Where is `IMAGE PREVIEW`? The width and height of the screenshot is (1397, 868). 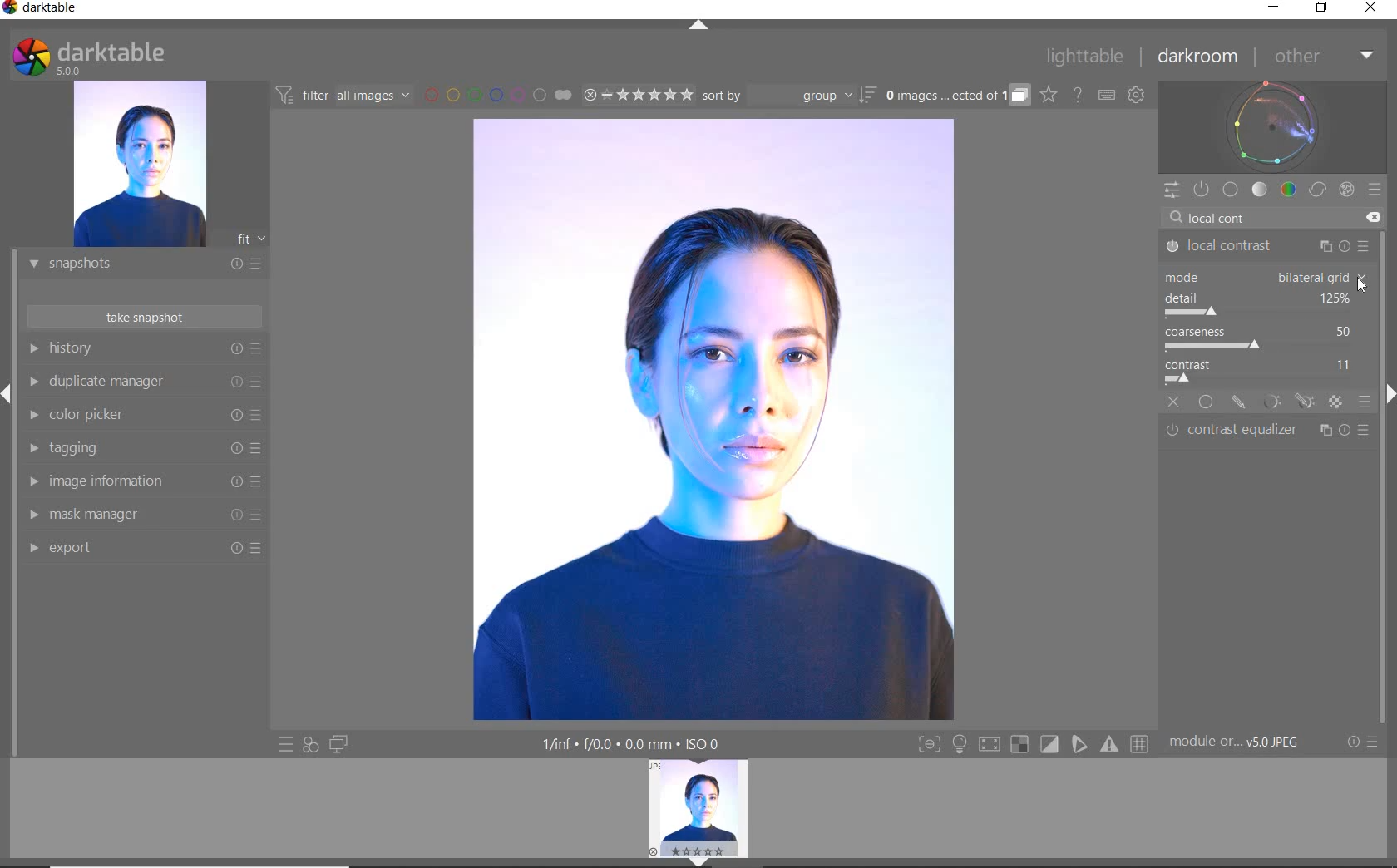 IMAGE PREVIEW is located at coordinates (698, 806).